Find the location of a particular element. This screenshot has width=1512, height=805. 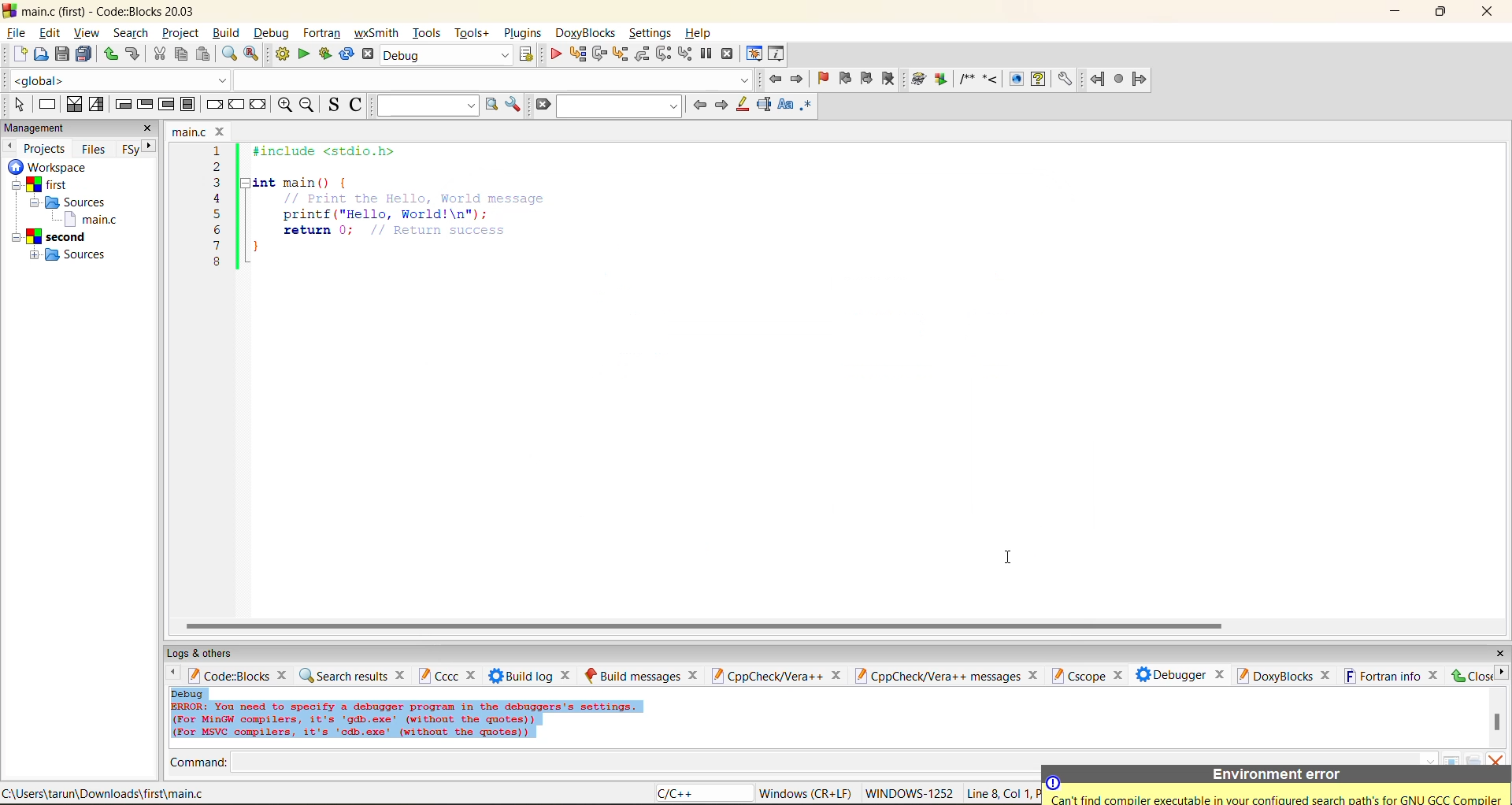

error info is located at coordinates (1279, 799).